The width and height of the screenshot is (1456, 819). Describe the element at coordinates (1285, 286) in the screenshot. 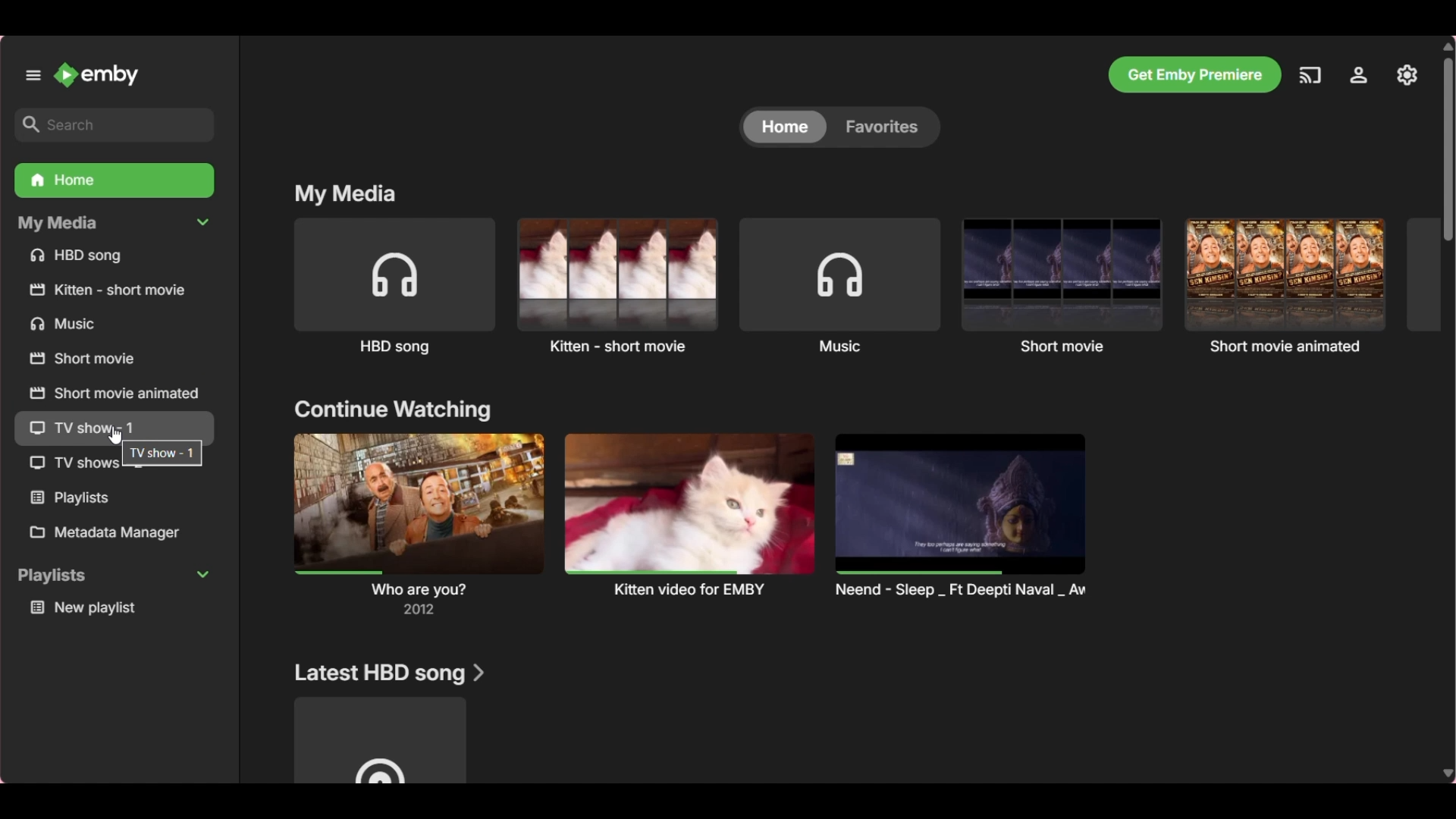

I see `Short film` at that location.